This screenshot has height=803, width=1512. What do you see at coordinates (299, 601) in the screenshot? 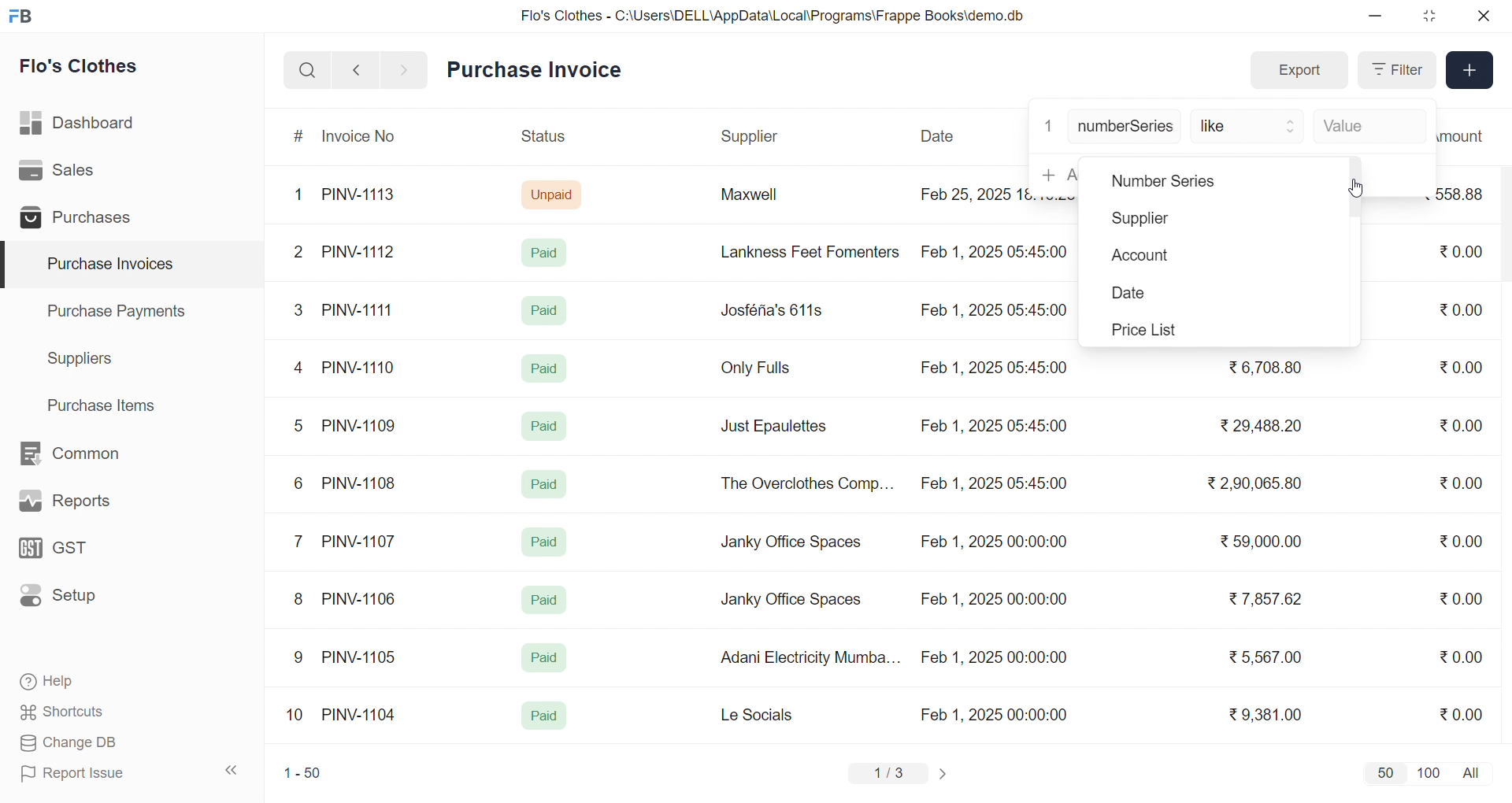
I see `8` at bounding box center [299, 601].